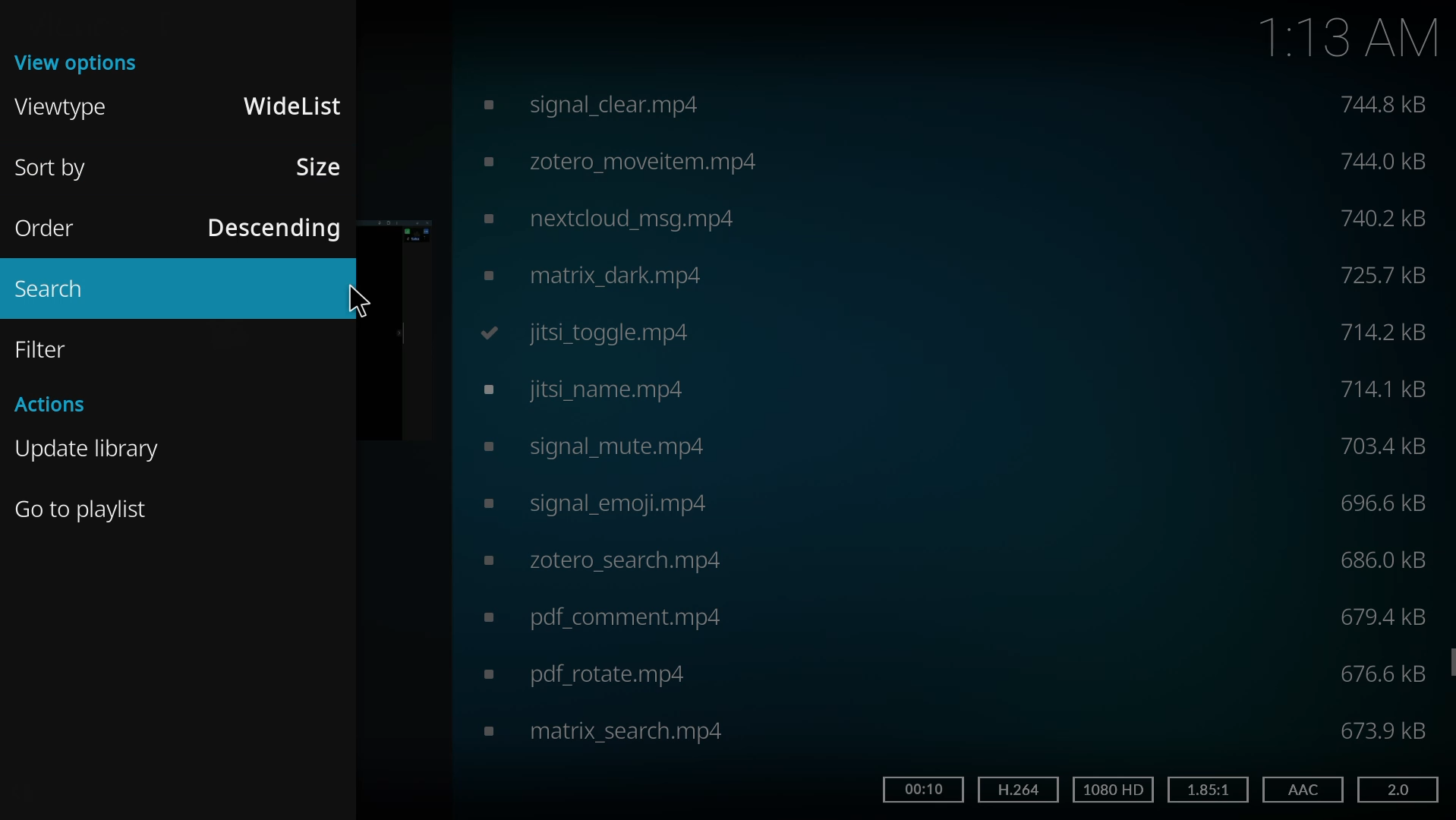 This screenshot has height=820, width=1456. What do you see at coordinates (1383, 273) in the screenshot?
I see `size` at bounding box center [1383, 273].